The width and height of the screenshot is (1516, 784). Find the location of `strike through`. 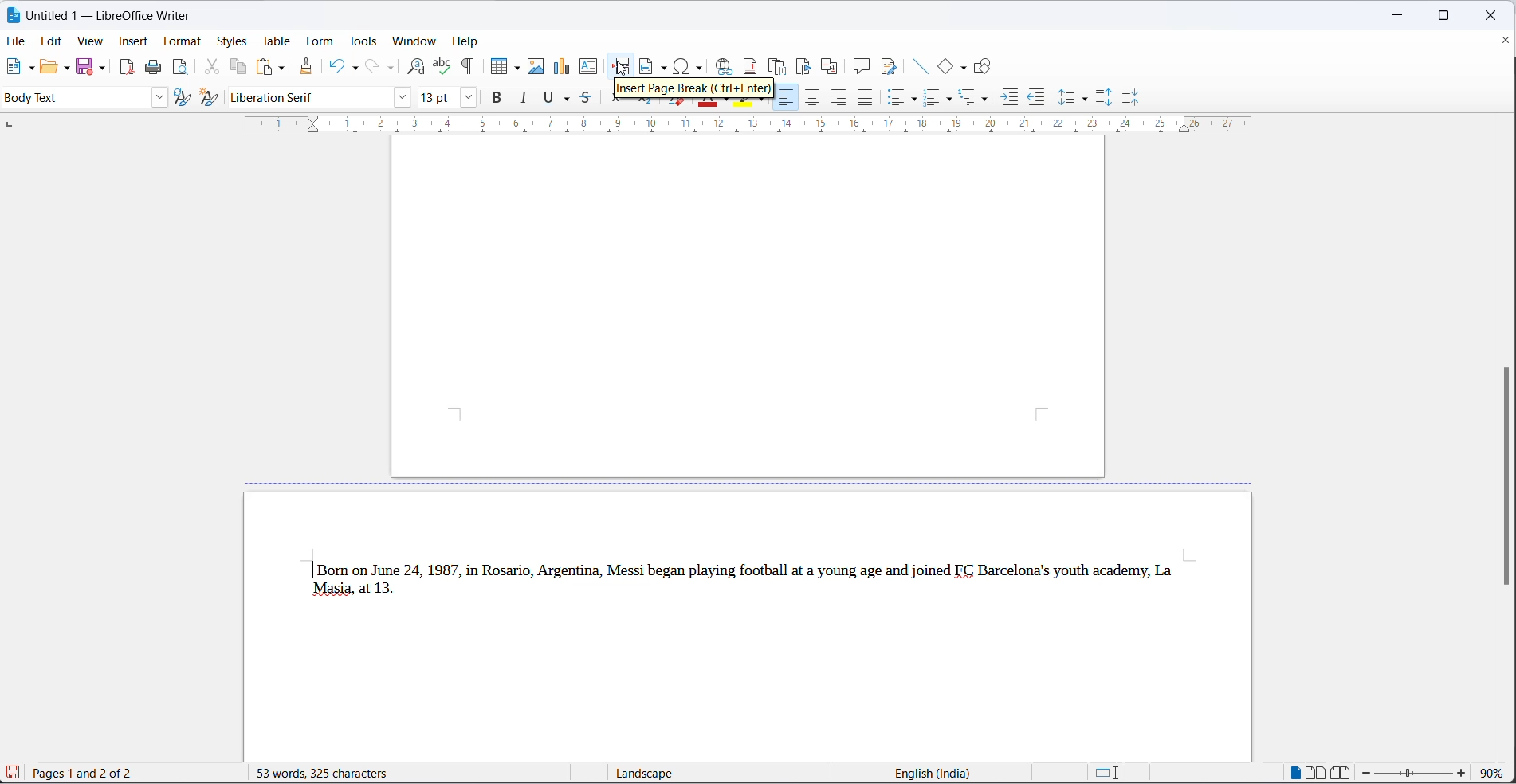

strike through is located at coordinates (586, 97).